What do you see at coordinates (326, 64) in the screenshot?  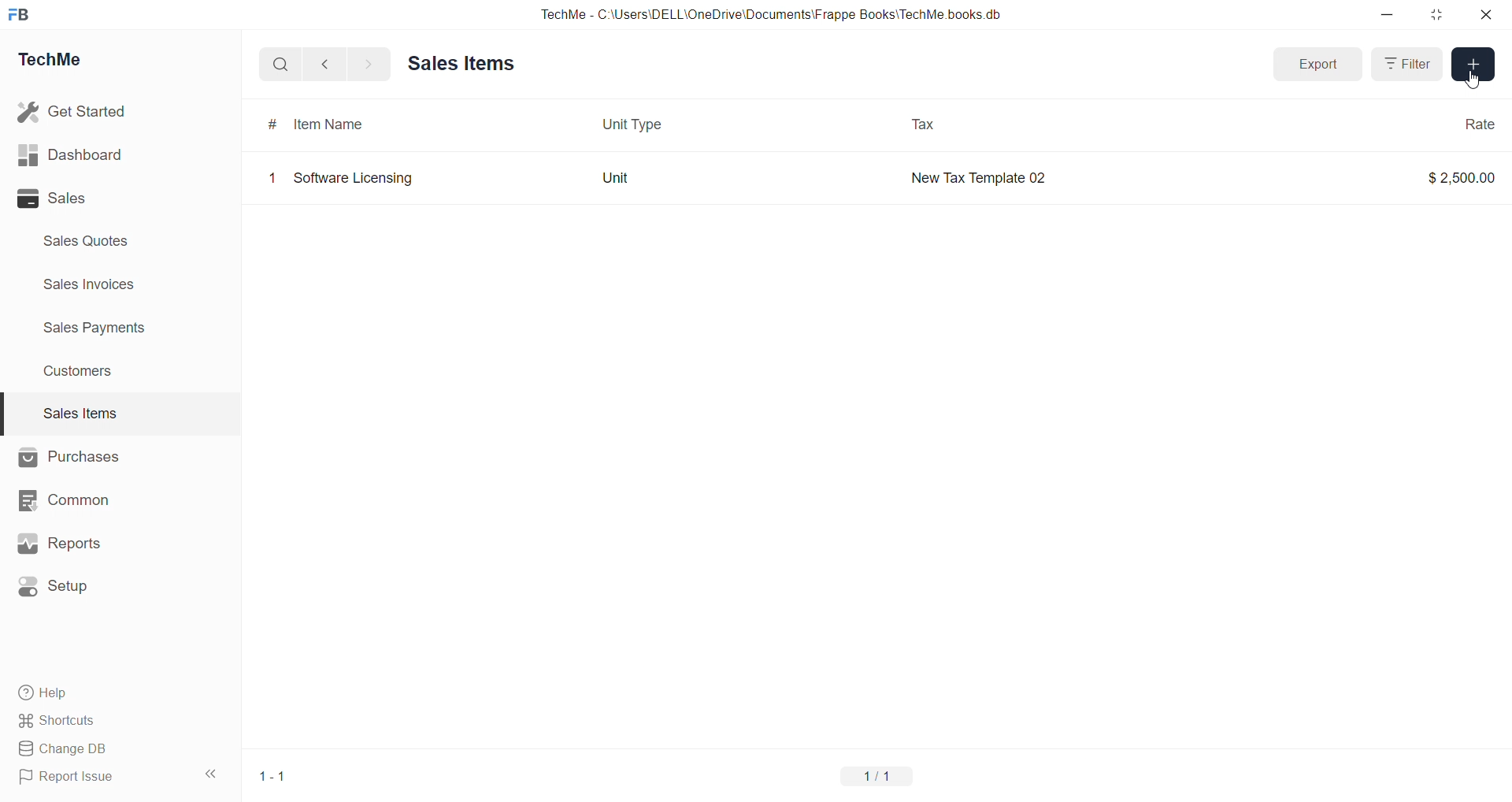 I see `back` at bounding box center [326, 64].